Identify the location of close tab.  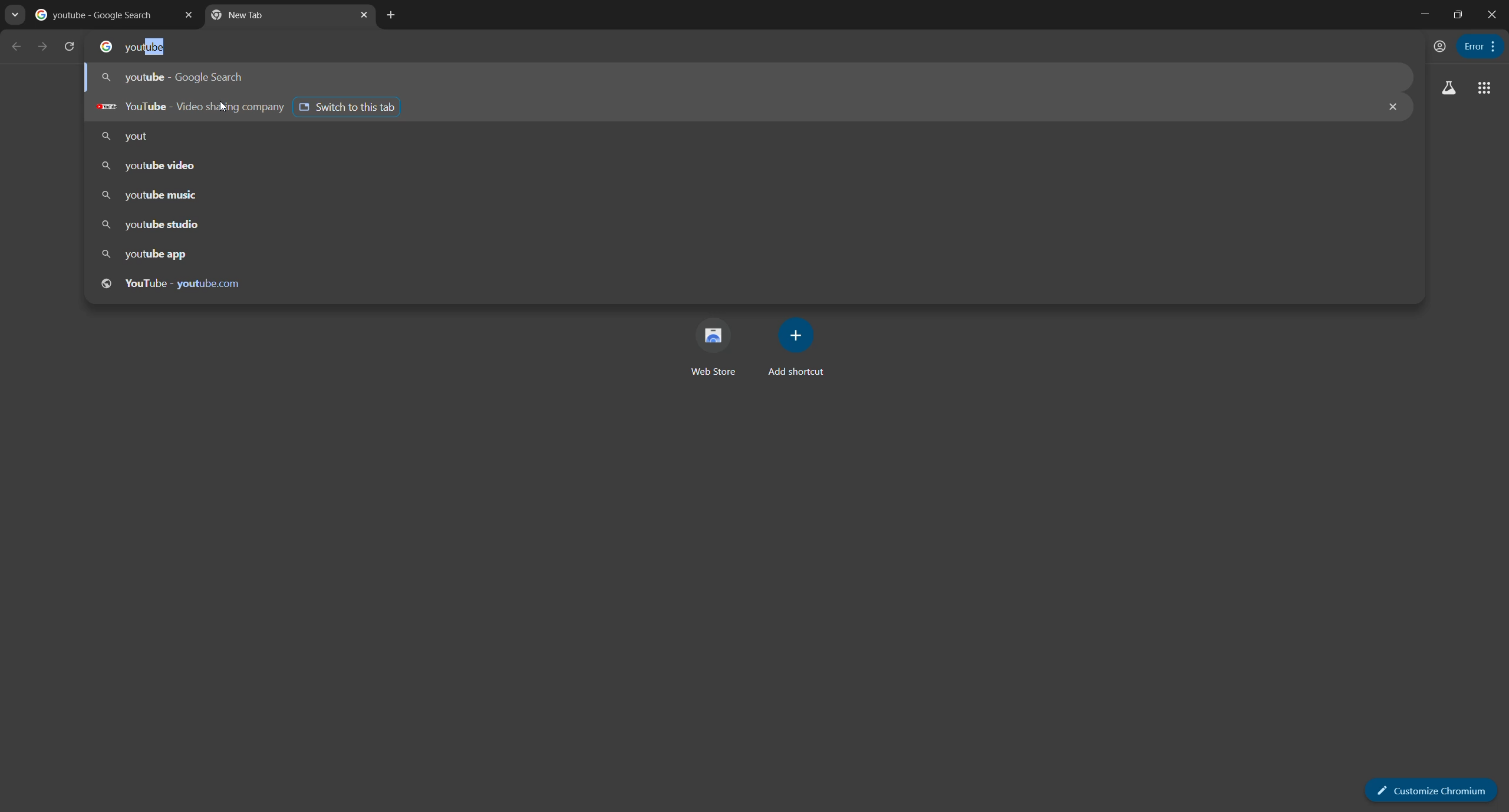
(367, 16).